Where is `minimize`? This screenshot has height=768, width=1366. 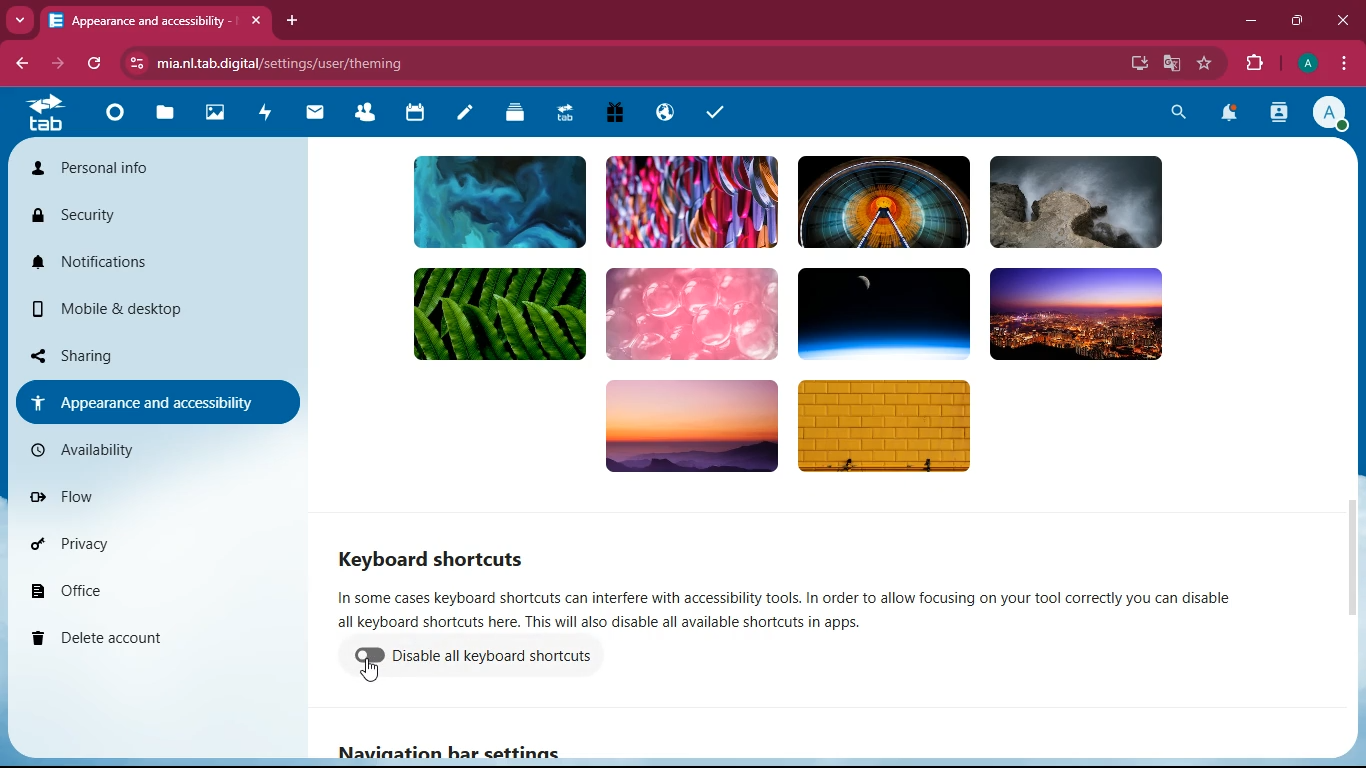 minimize is located at coordinates (1247, 23).